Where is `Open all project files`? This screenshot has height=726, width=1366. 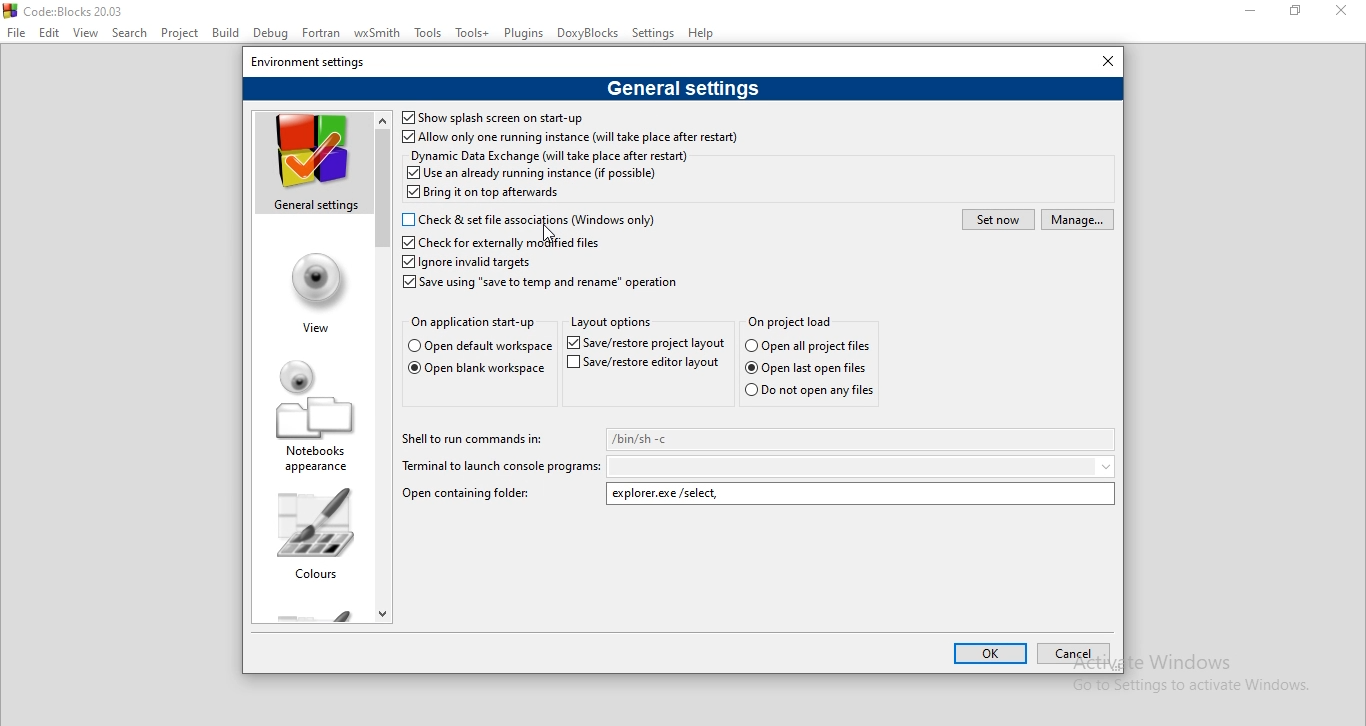 Open all project files is located at coordinates (809, 346).